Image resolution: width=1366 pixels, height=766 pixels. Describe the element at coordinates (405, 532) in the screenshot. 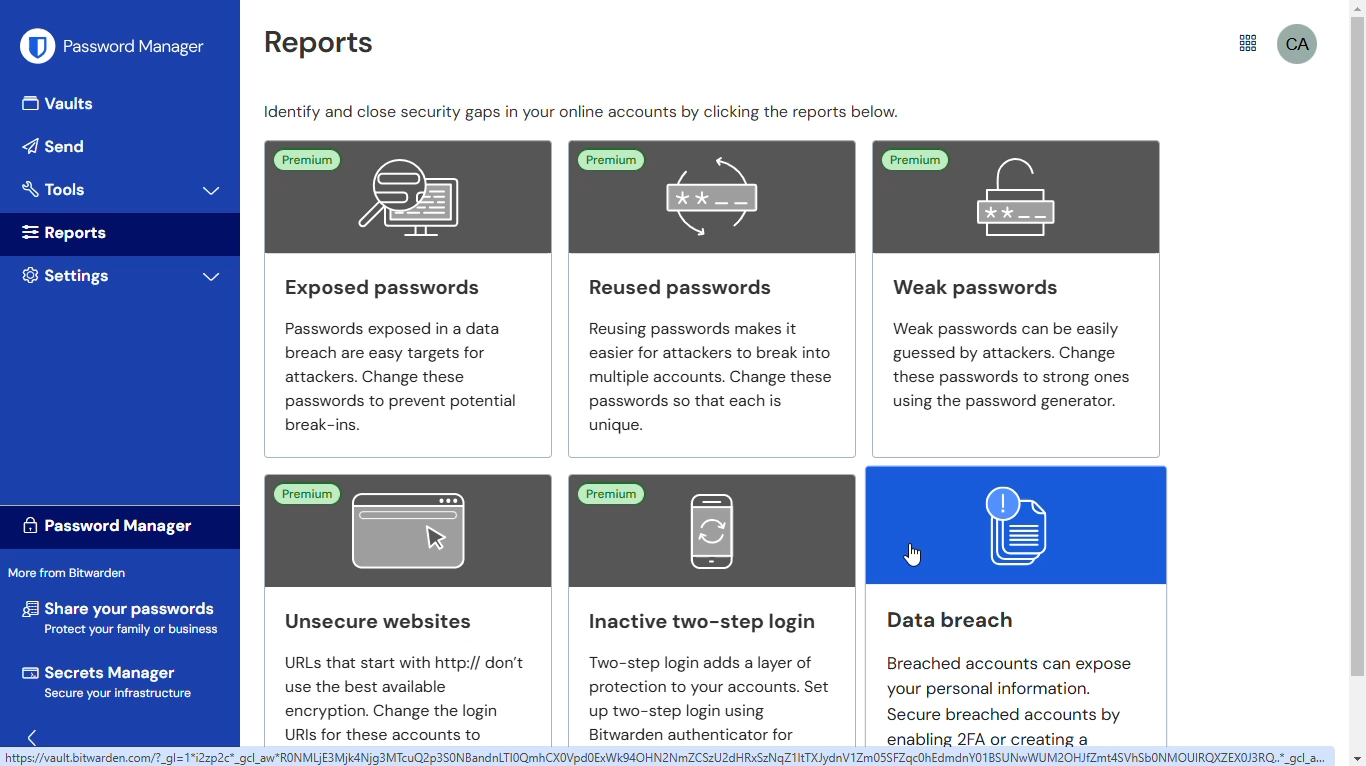

I see `unsecure websites` at that location.